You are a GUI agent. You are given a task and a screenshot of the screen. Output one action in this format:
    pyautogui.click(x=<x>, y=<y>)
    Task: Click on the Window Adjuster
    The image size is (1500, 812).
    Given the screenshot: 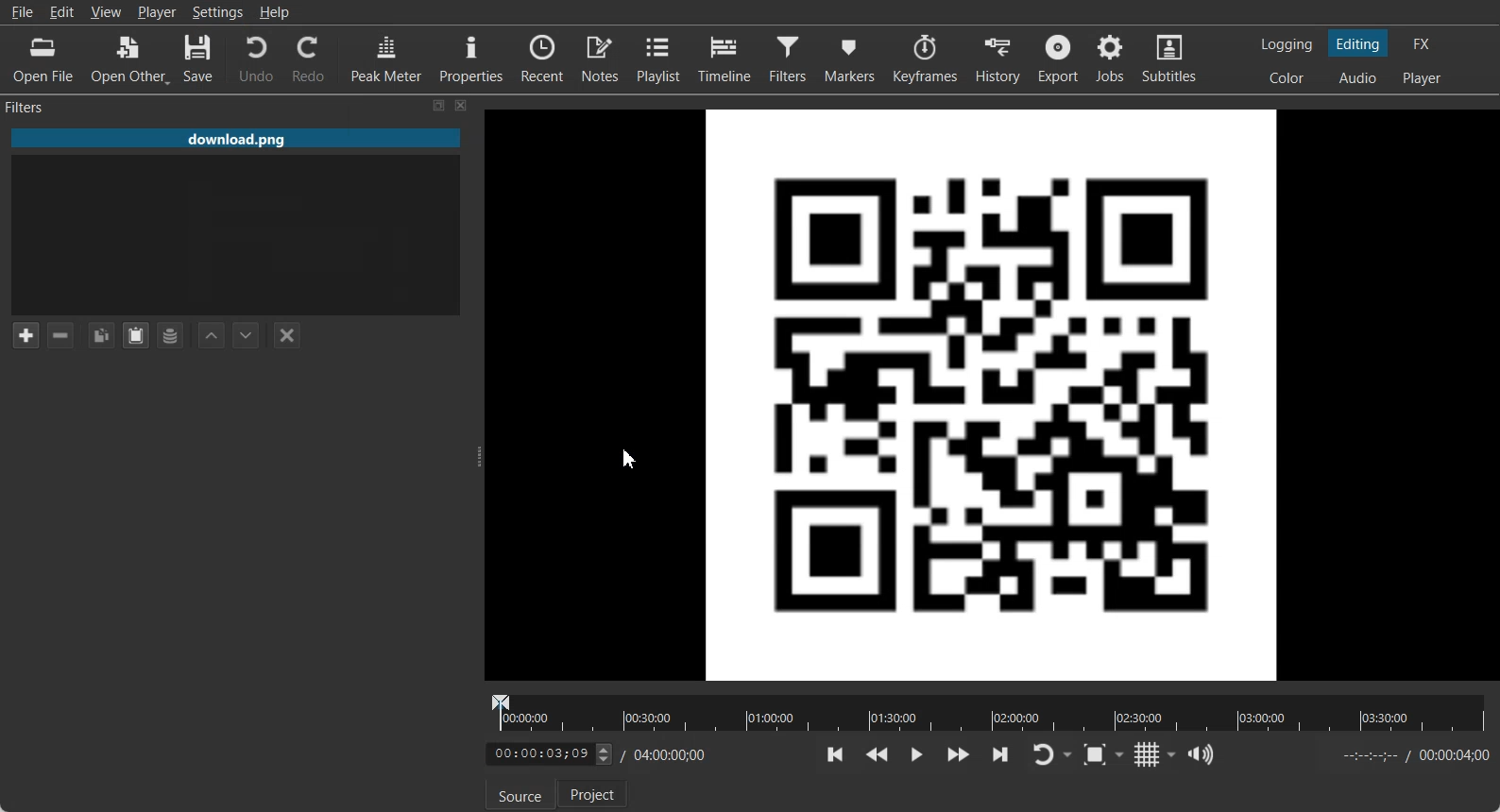 What is the action you would take?
    pyautogui.click(x=477, y=456)
    